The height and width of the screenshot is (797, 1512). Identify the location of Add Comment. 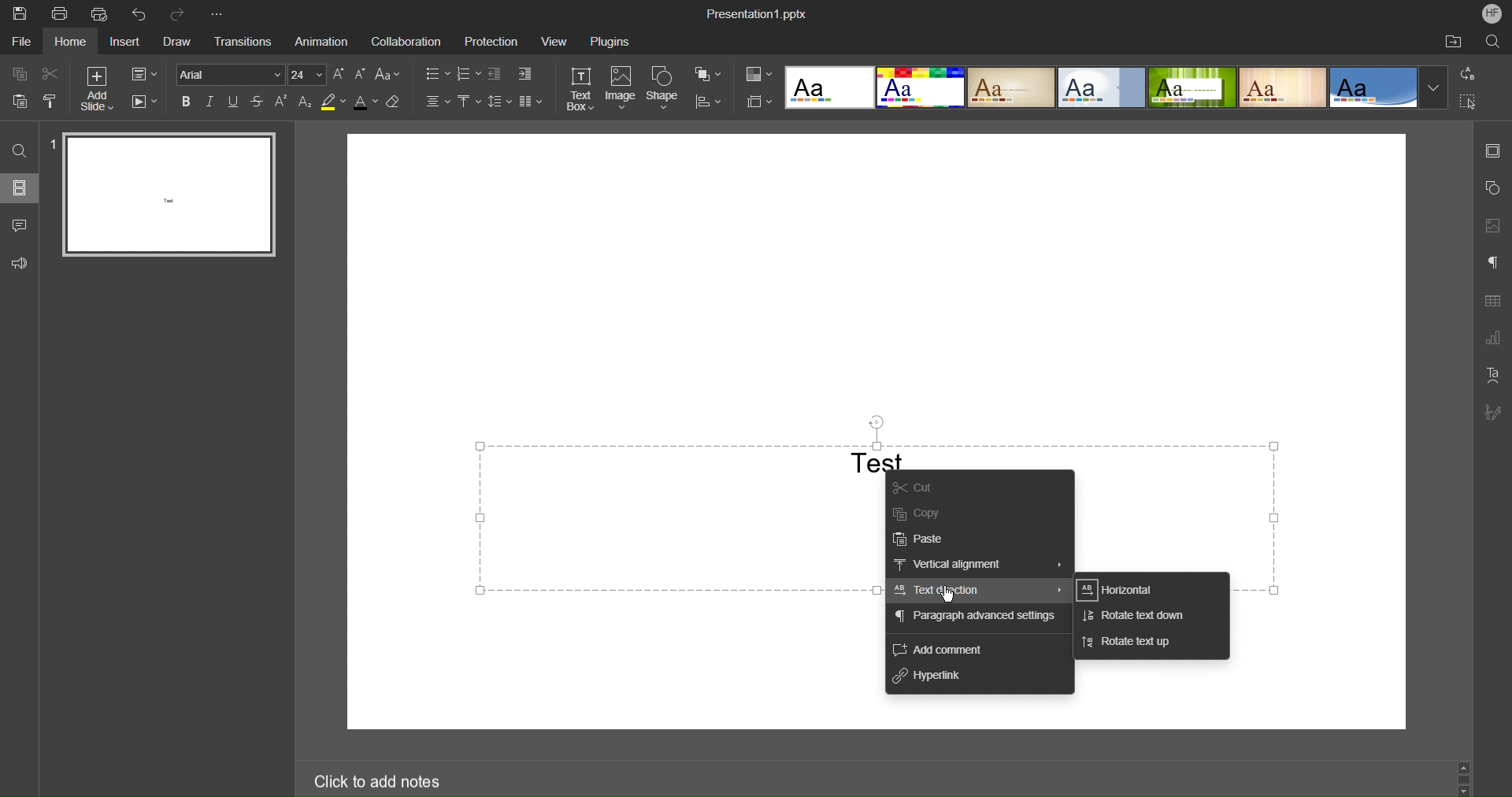
(938, 650).